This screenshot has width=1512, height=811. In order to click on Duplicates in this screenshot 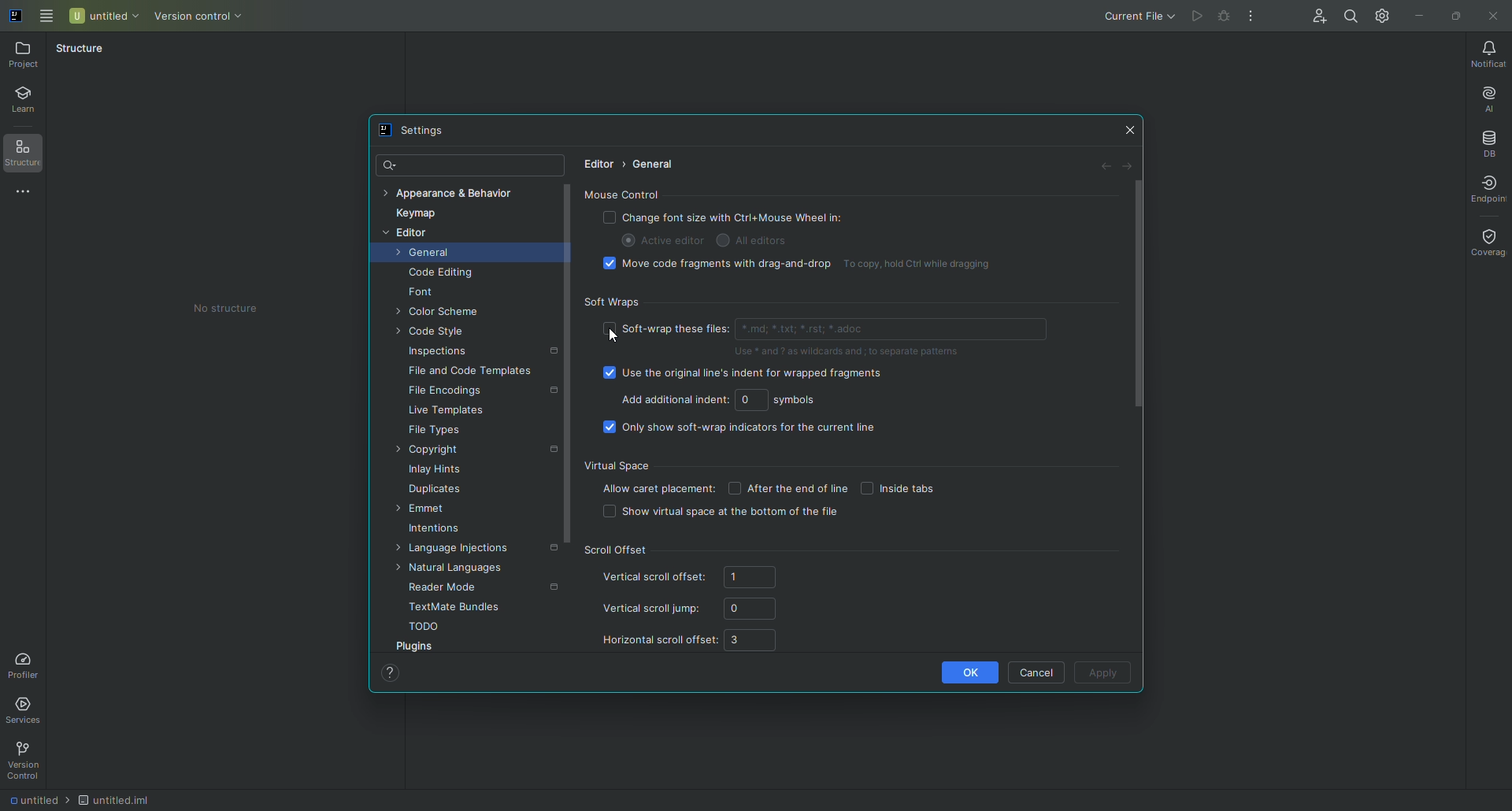, I will do `click(439, 491)`.